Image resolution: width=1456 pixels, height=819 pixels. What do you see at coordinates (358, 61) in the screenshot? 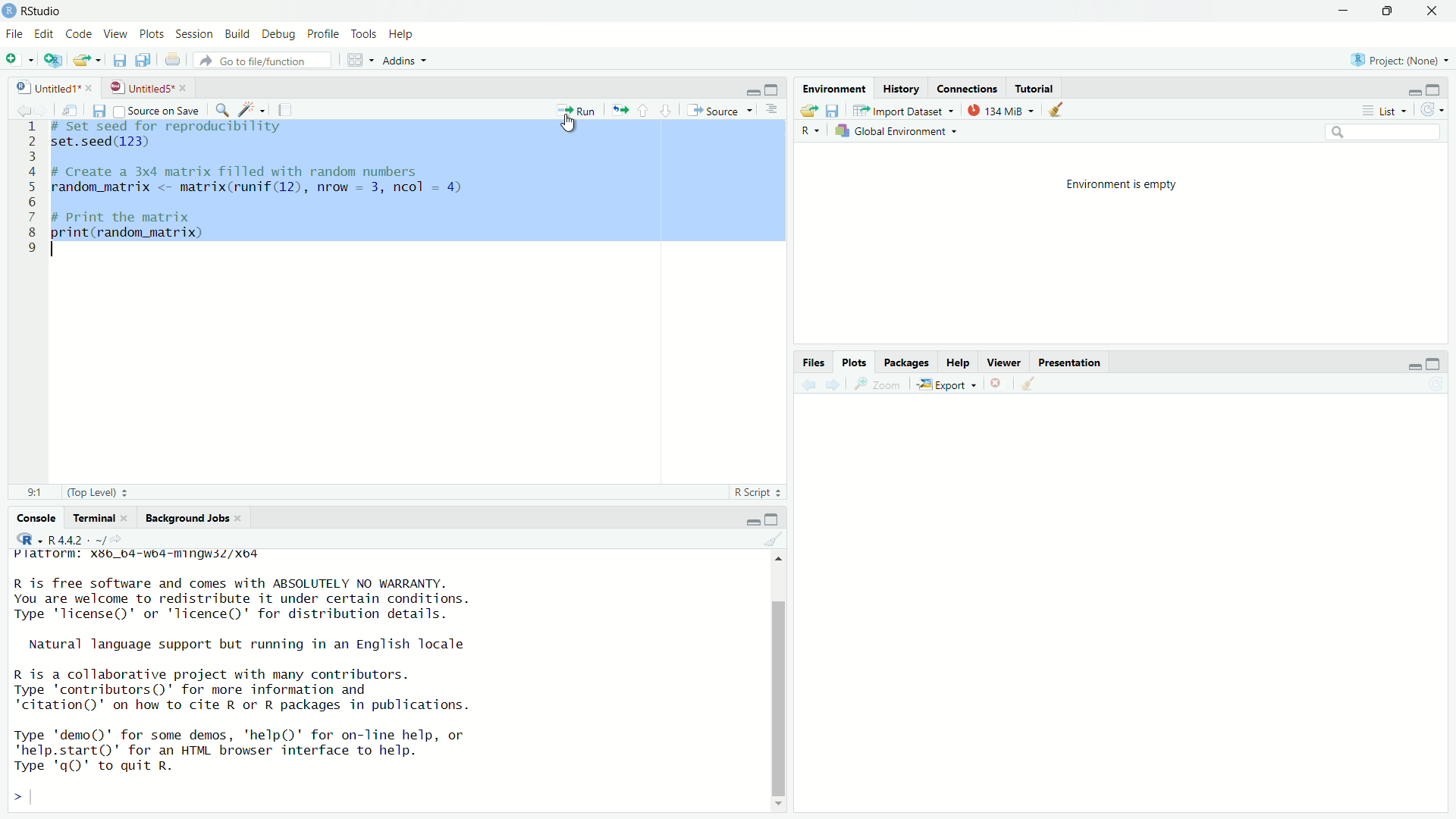
I see `grid` at bounding box center [358, 61].